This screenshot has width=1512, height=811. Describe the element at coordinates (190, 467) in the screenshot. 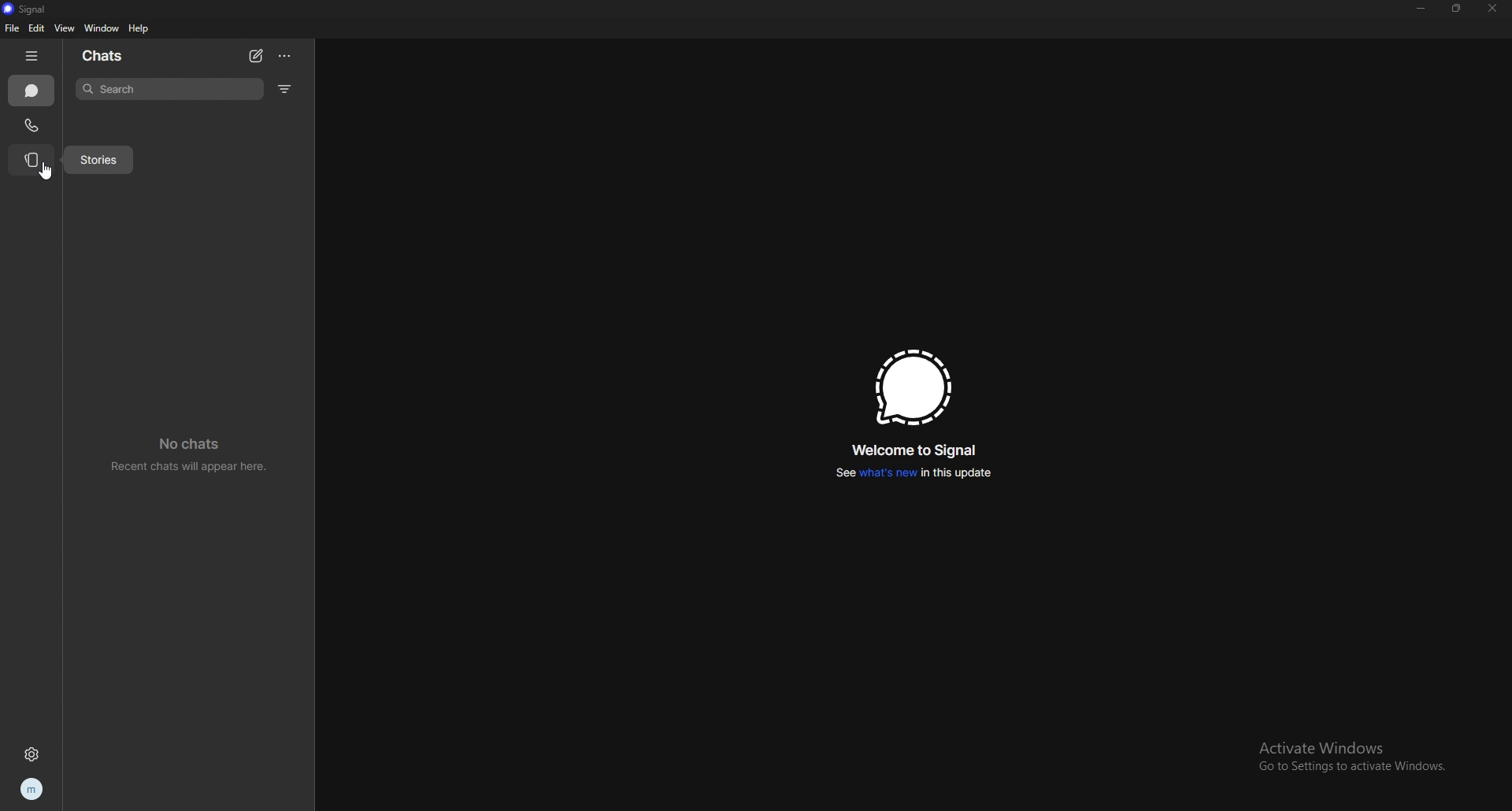

I see `Recent chats will appear here.` at that location.